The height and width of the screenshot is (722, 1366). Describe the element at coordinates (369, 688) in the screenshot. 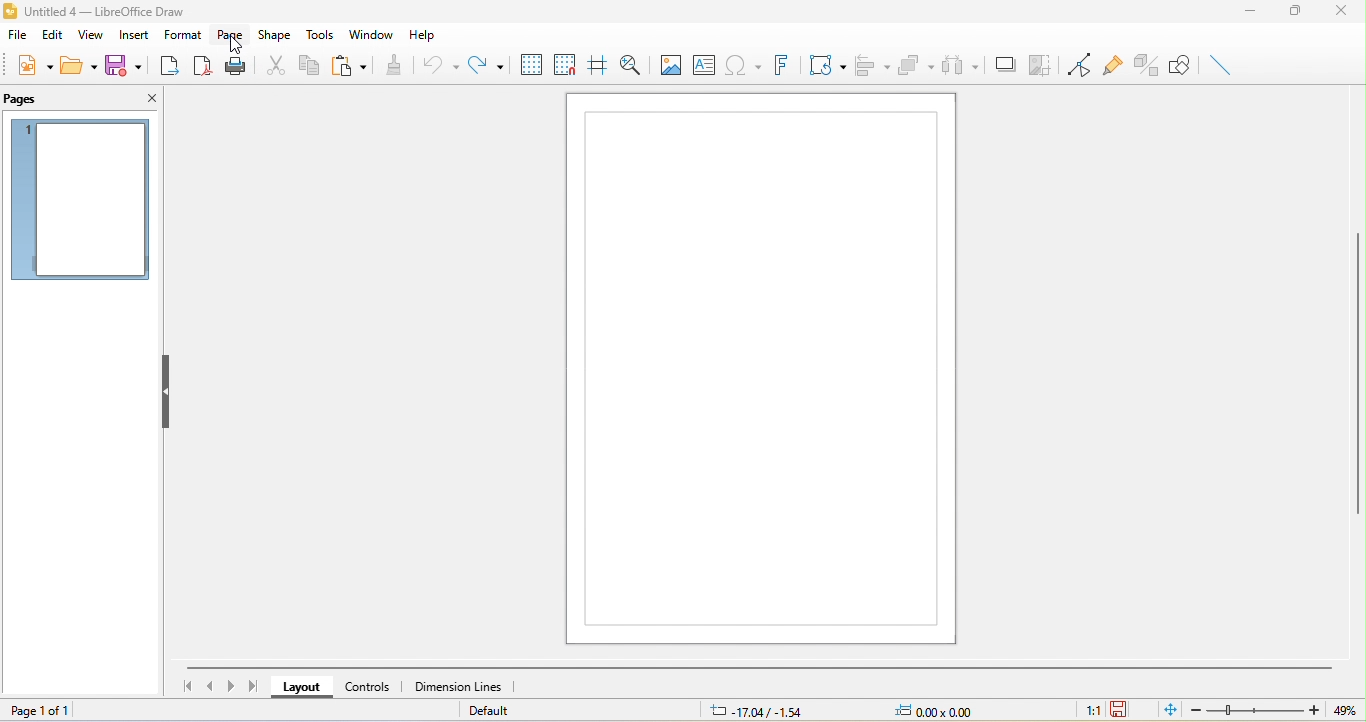

I see `controls` at that location.